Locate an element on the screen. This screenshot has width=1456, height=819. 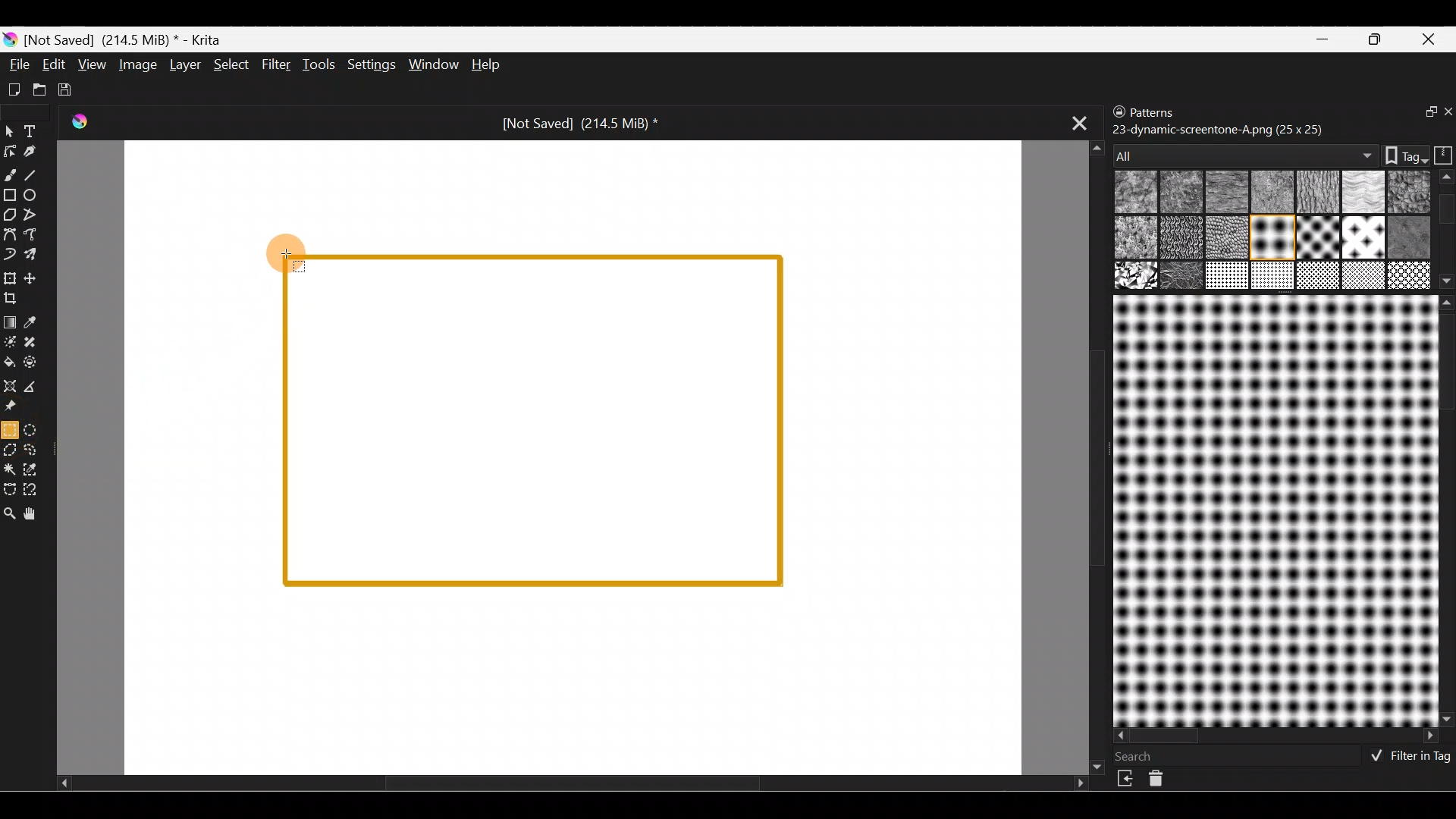
Scroll bar is located at coordinates (1447, 230).